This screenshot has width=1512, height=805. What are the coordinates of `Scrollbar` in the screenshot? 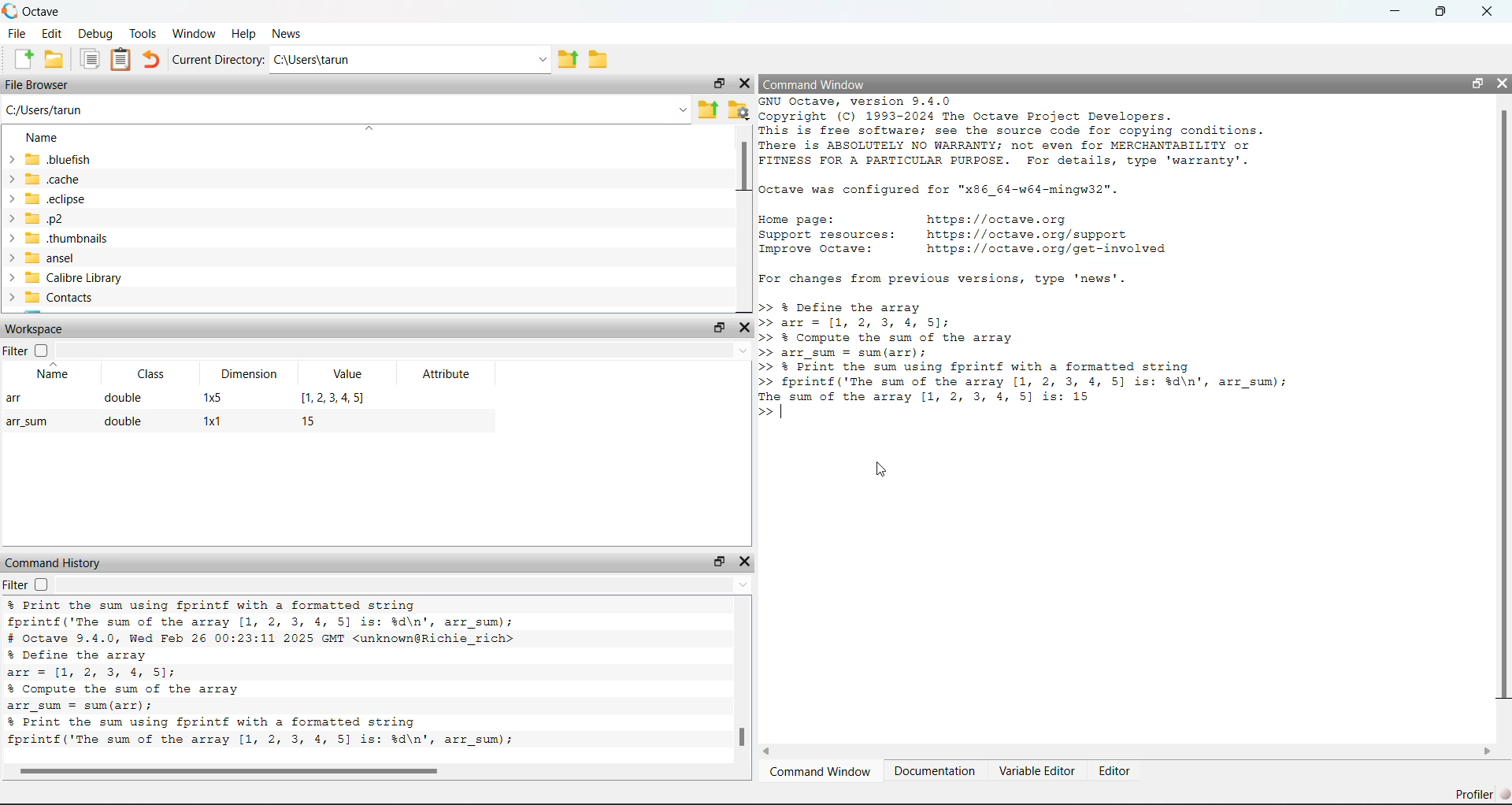 It's located at (740, 737).